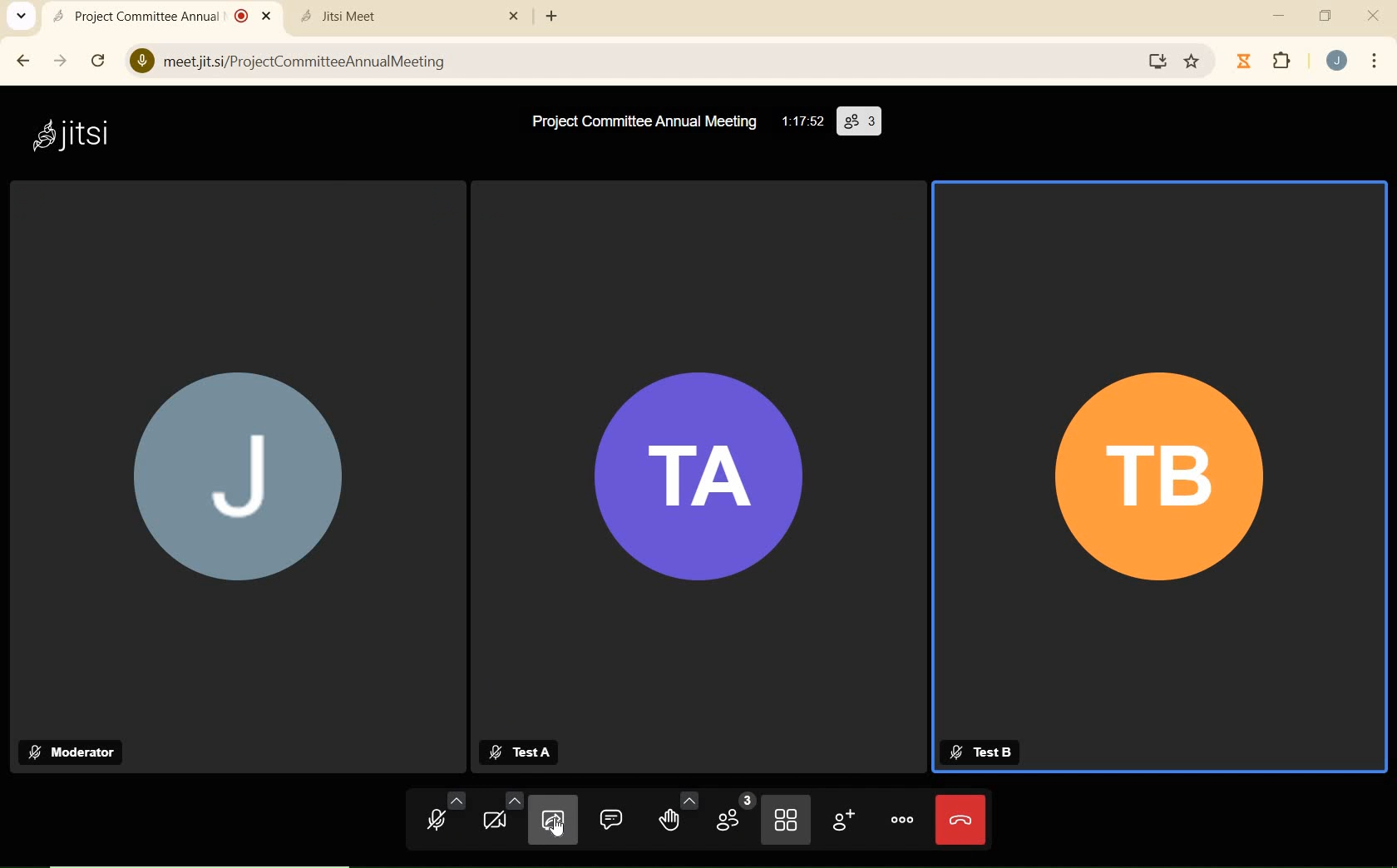 The image size is (1397, 868). Describe the element at coordinates (1339, 61) in the screenshot. I see `account` at that location.